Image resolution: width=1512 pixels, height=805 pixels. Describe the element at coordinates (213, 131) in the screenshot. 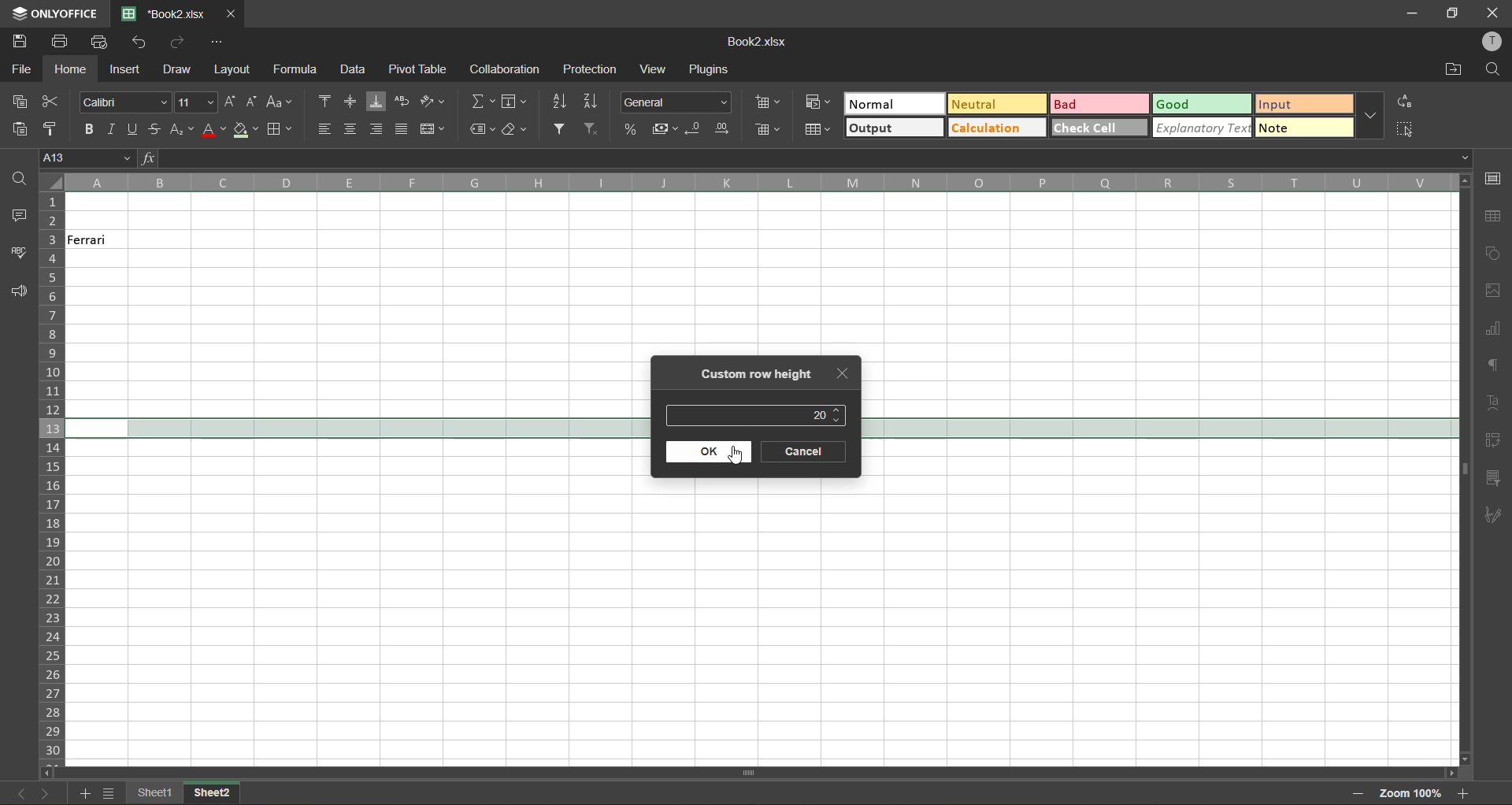

I see `font color` at that location.